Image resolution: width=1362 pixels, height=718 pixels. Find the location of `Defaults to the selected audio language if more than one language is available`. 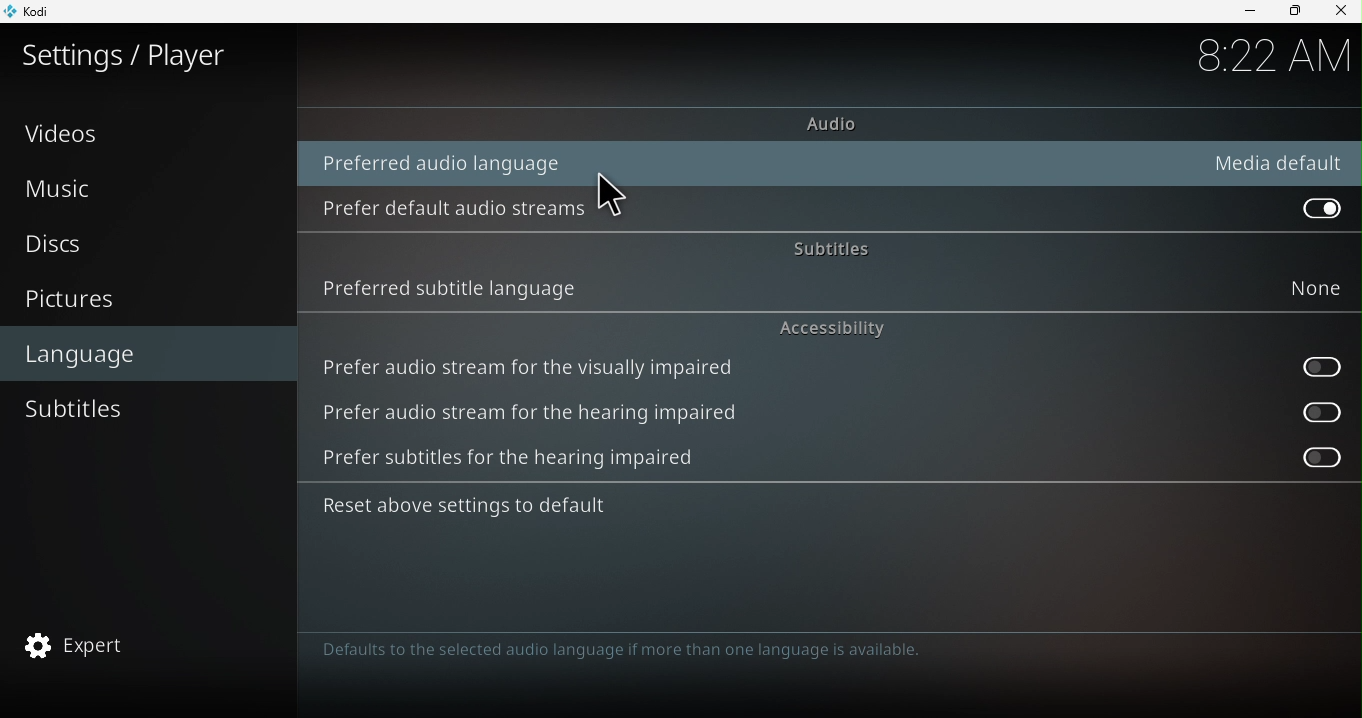

Defaults to the selected audio language if more than one language is available is located at coordinates (648, 661).